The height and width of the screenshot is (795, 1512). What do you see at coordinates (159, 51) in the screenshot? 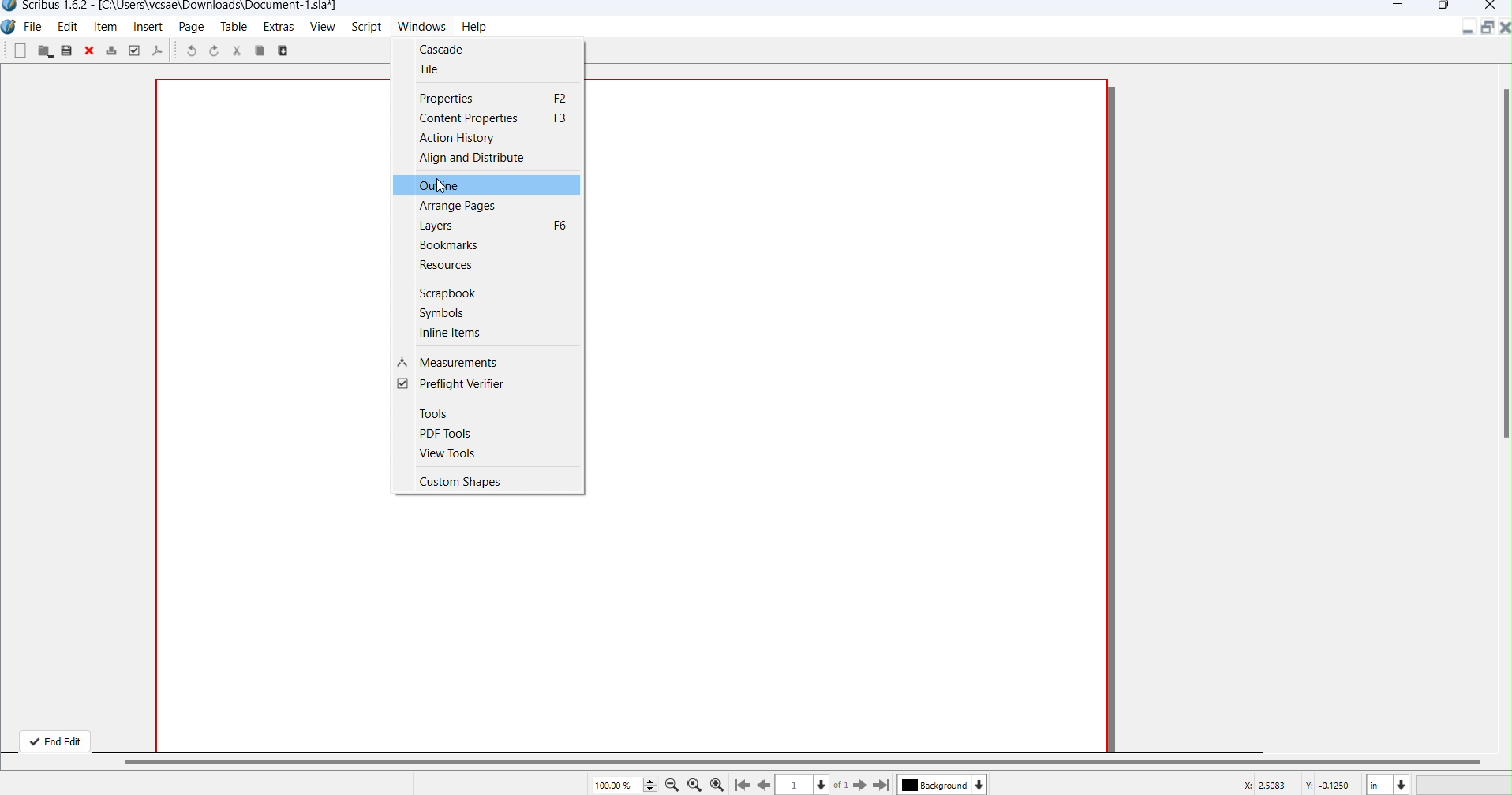
I see `` at bounding box center [159, 51].